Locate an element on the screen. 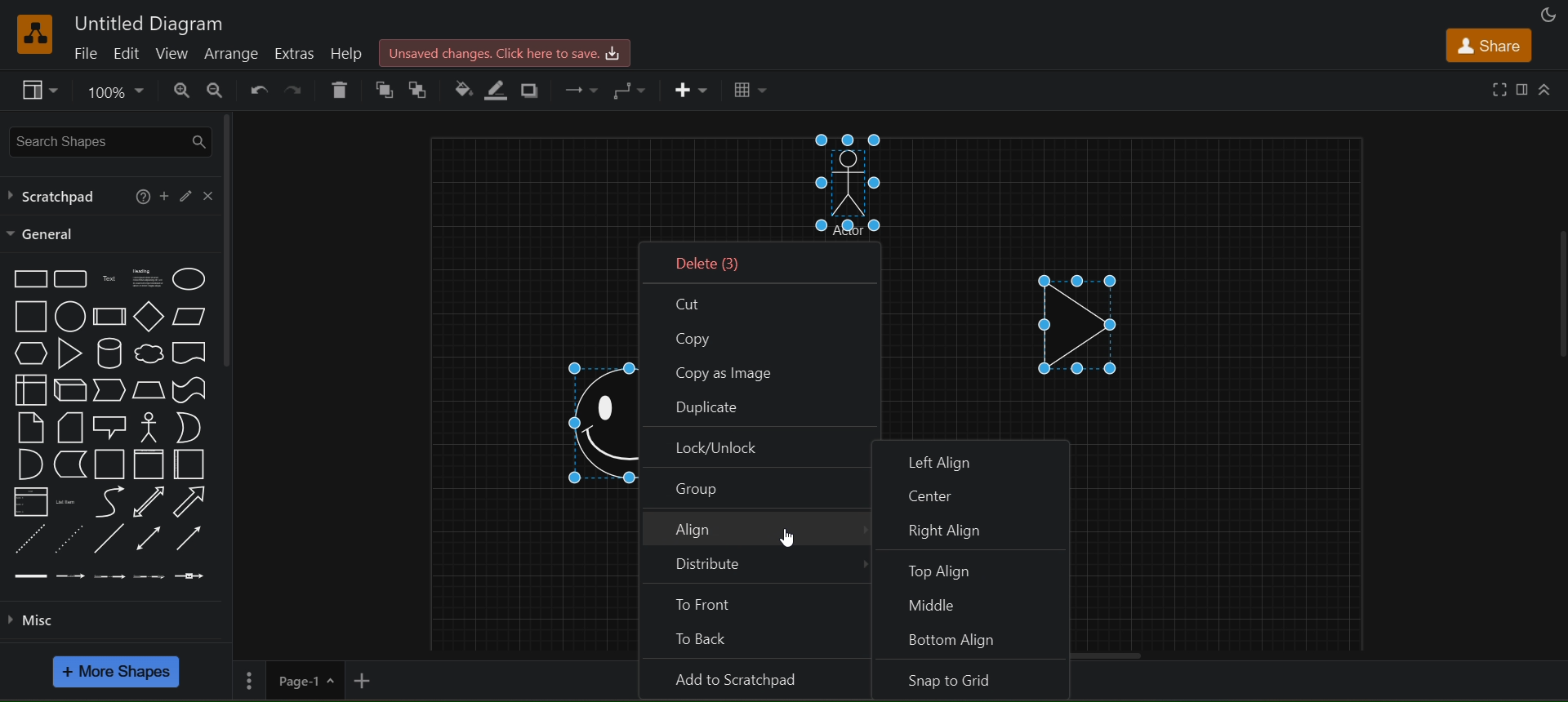 This screenshot has height=702, width=1568. to back is located at coordinates (425, 87).